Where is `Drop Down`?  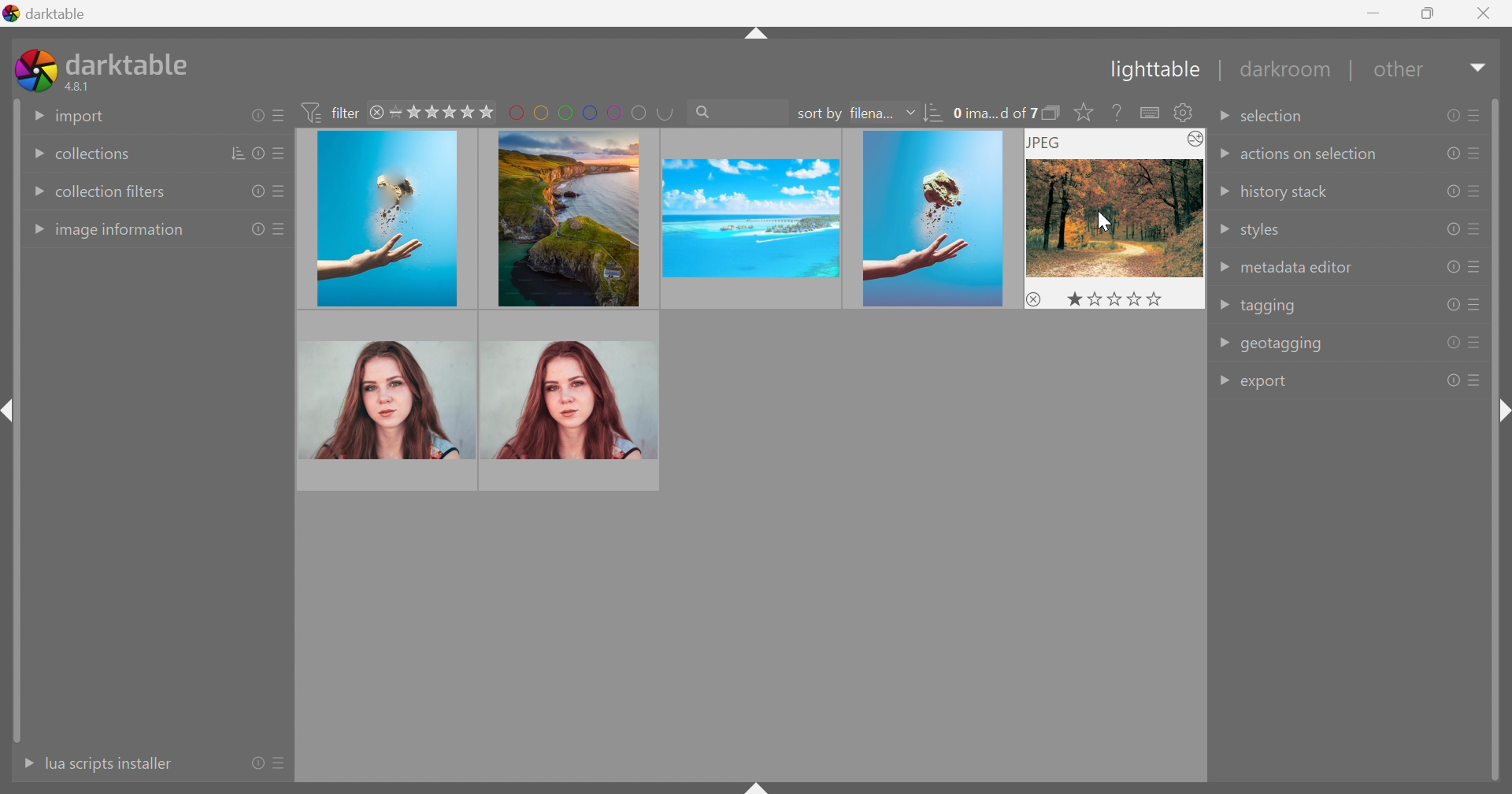 Drop Down is located at coordinates (1480, 67).